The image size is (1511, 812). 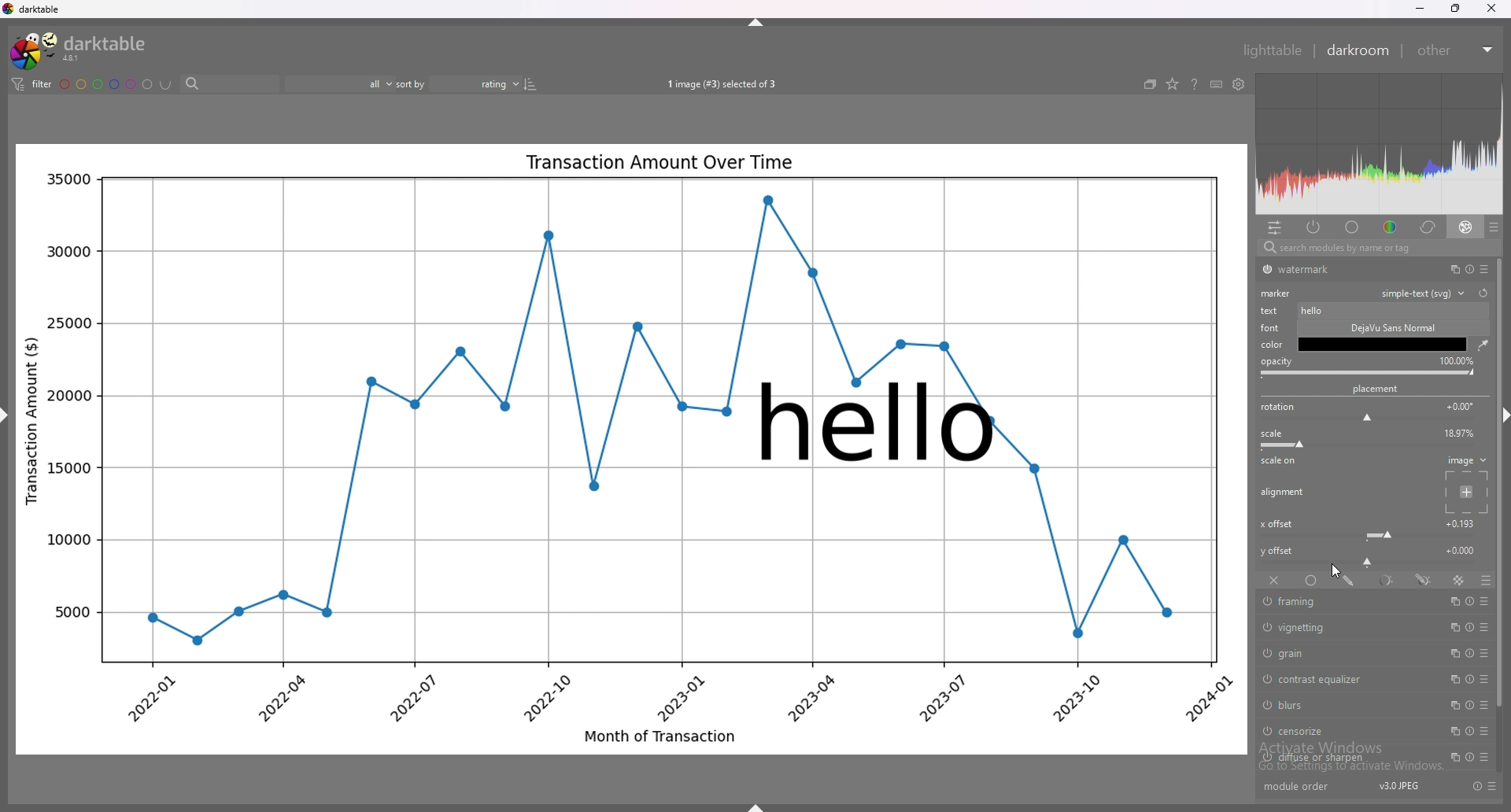 I want to click on x offset, so click(x=1276, y=524).